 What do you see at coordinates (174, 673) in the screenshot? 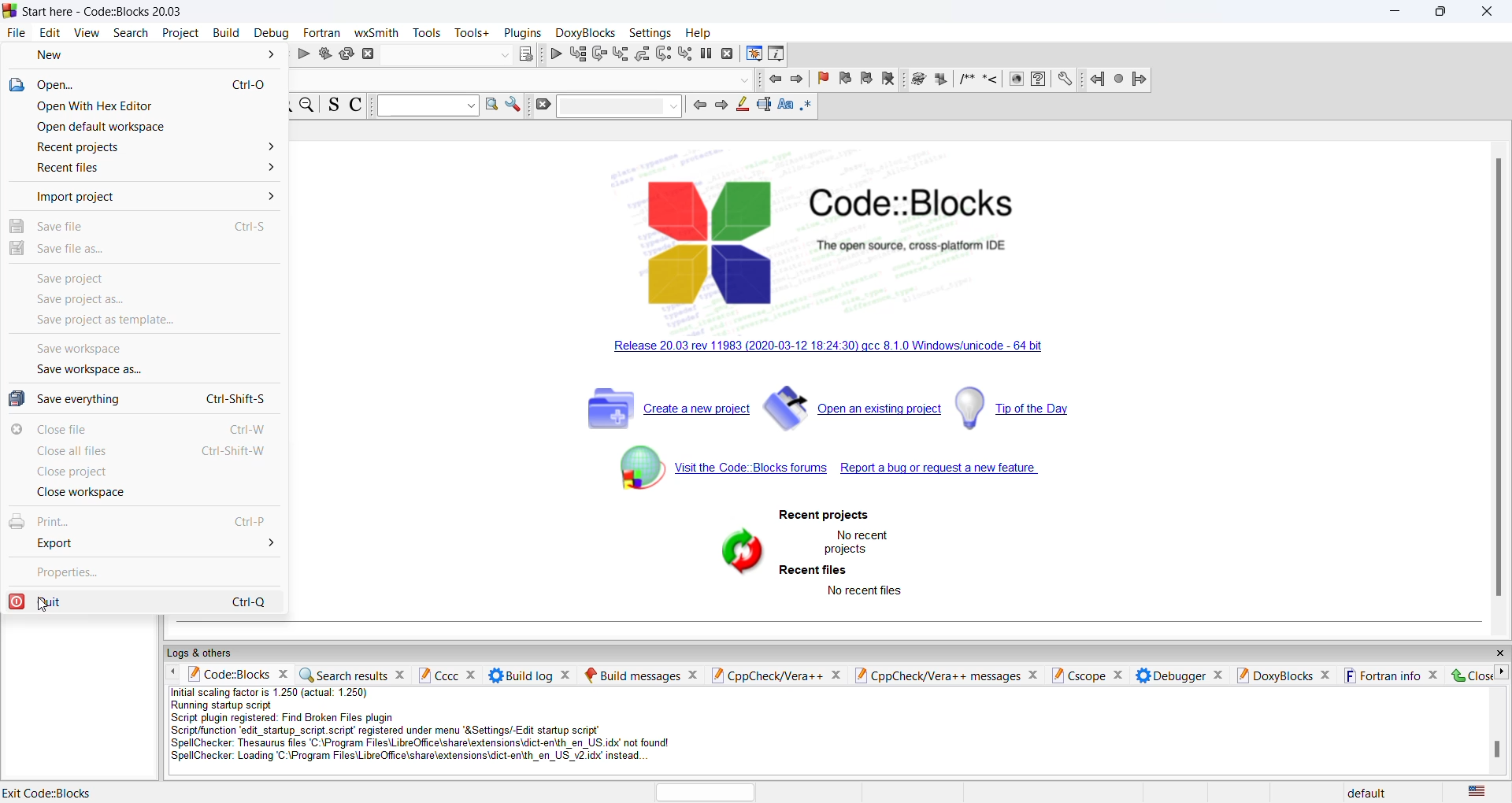
I see `move left` at bounding box center [174, 673].